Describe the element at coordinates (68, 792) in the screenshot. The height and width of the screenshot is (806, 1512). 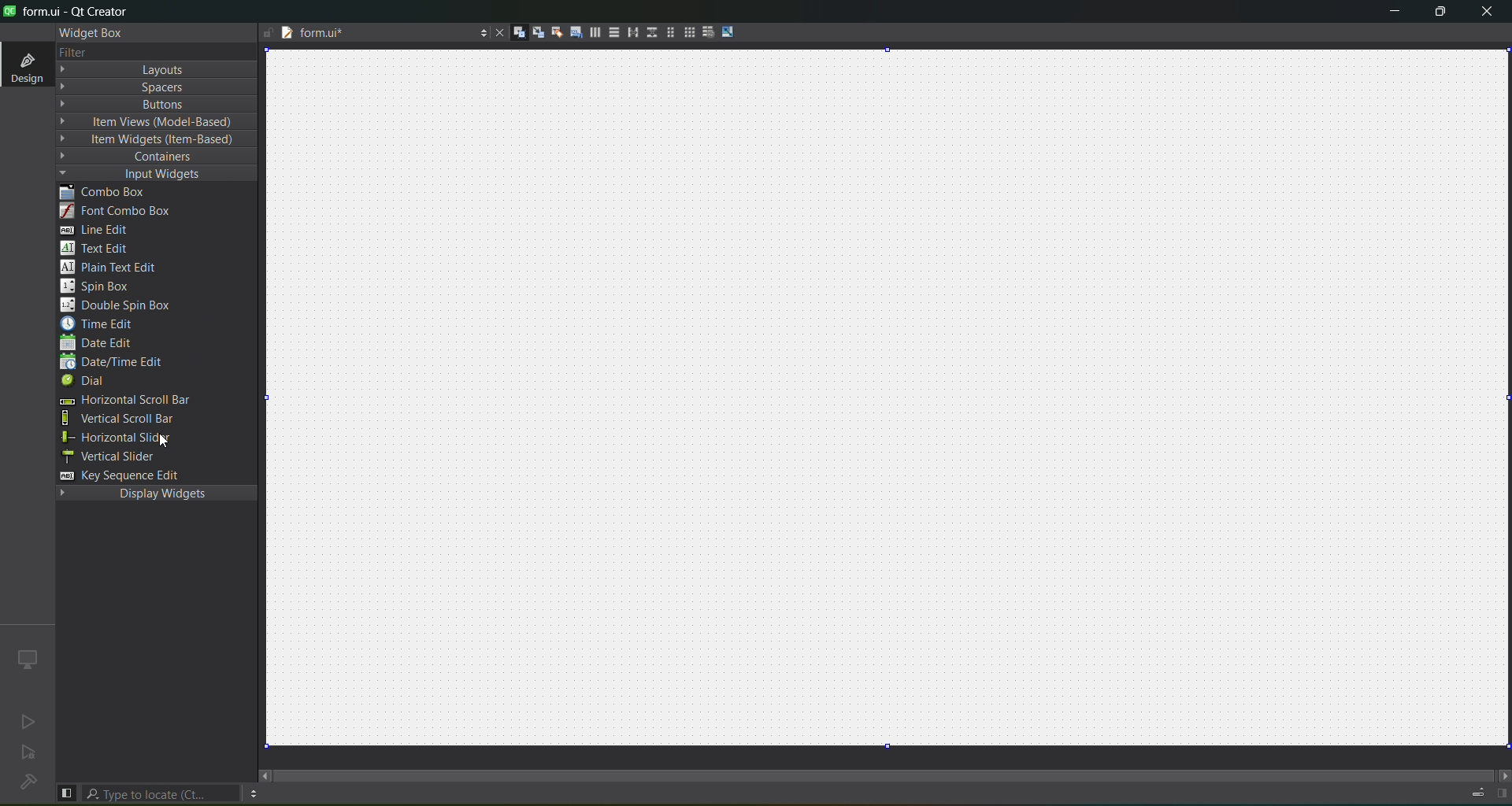
I see `show left` at that location.